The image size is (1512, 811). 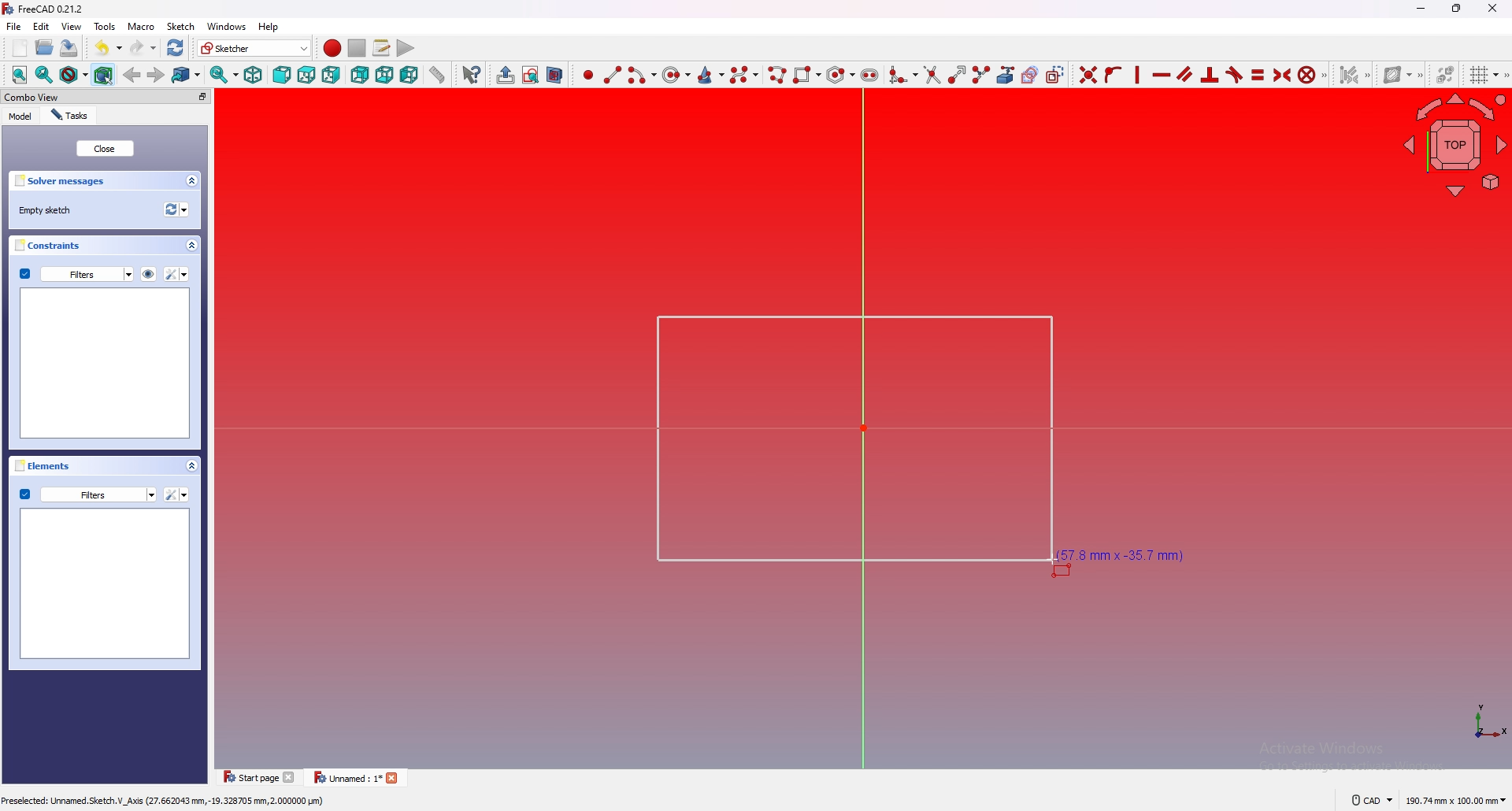 I want to click on left, so click(x=409, y=74).